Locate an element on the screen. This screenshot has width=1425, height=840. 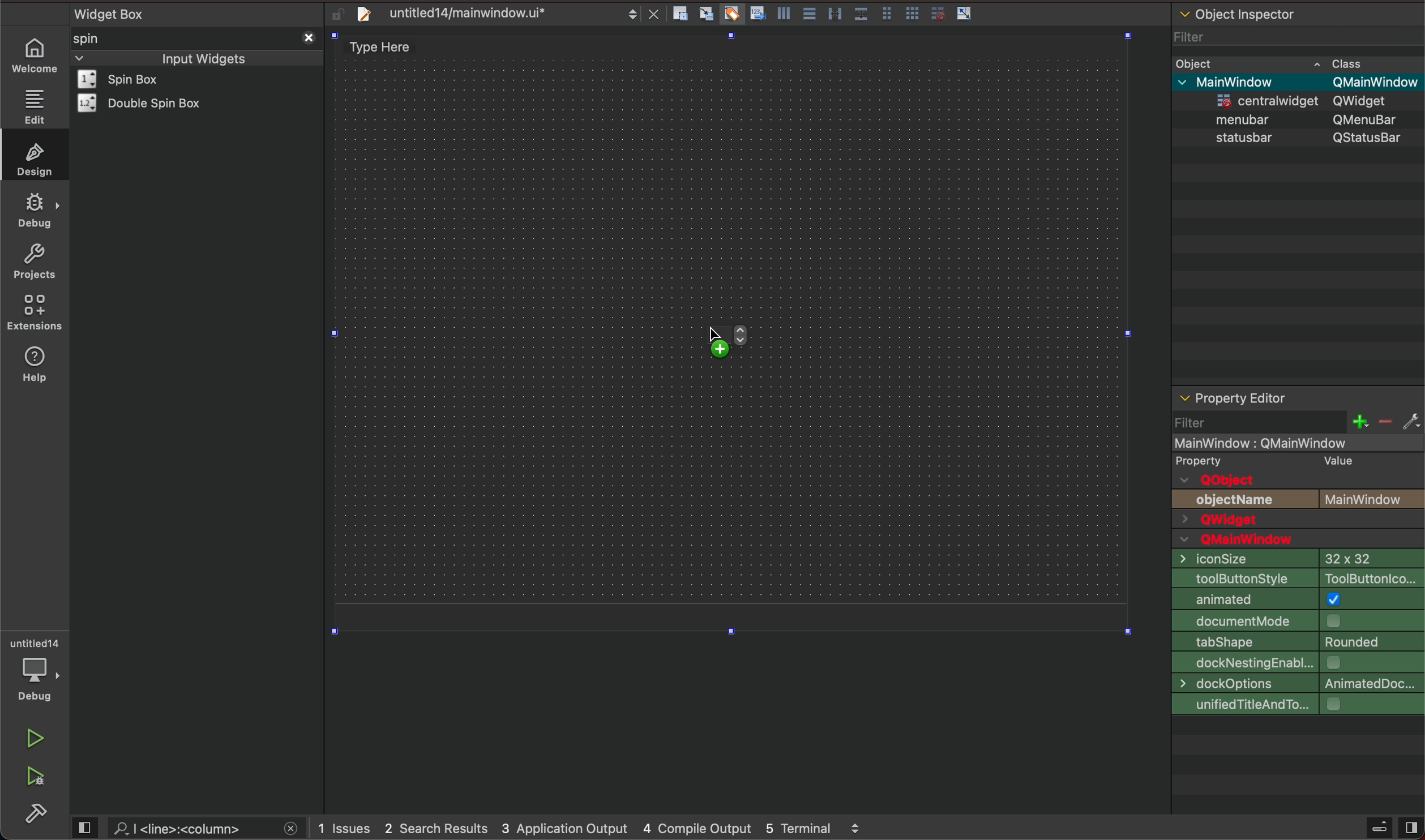
widget is located at coordinates (146, 103).